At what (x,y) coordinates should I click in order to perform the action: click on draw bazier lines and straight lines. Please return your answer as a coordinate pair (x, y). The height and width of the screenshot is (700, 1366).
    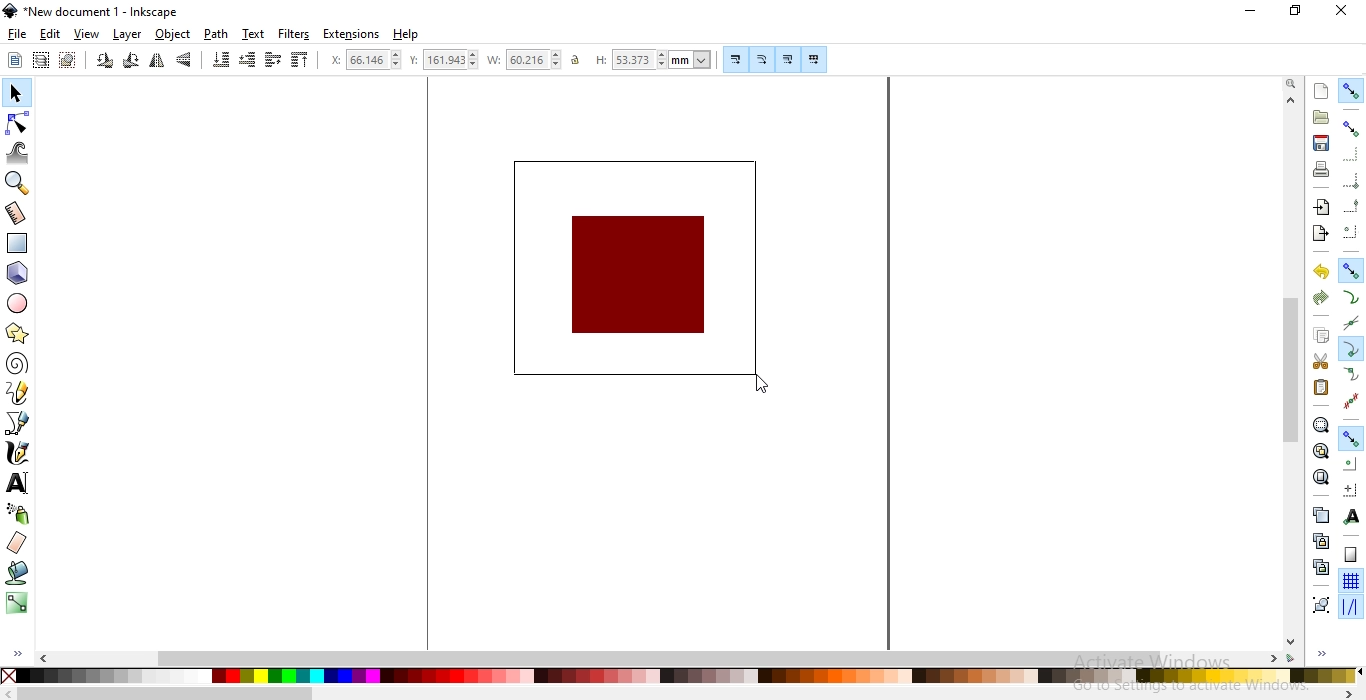
    Looking at the image, I should click on (18, 423).